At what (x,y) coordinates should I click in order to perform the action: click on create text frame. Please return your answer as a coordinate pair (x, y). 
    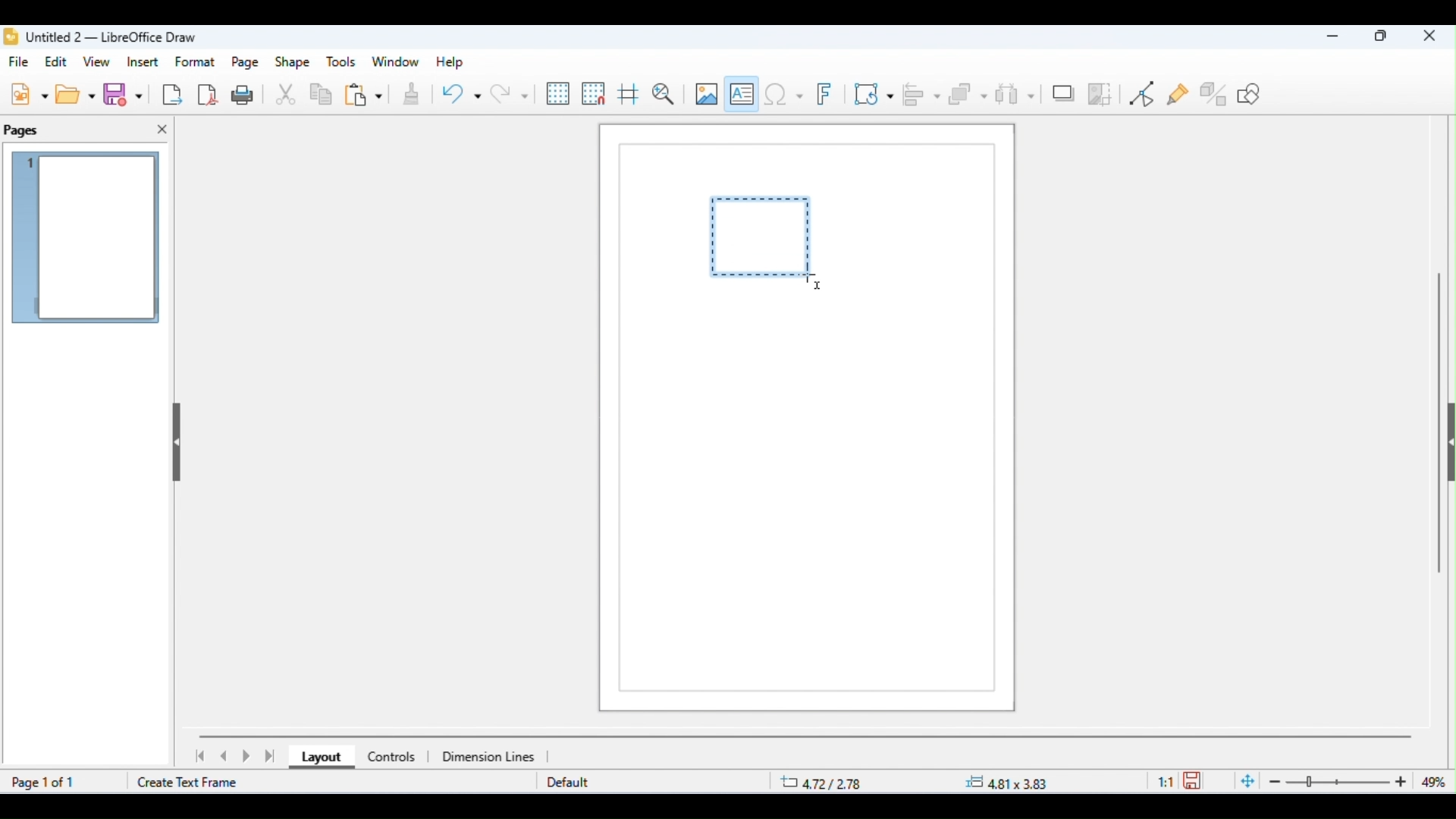
    Looking at the image, I should click on (187, 783).